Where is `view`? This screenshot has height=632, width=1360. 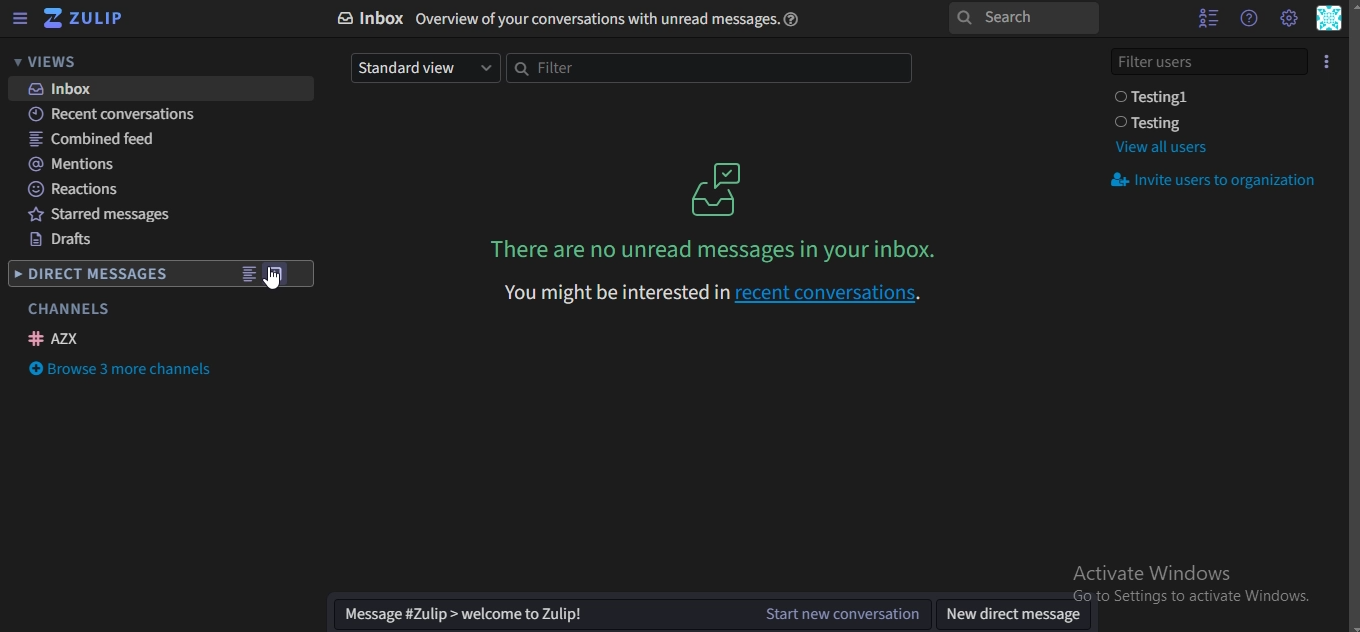 view is located at coordinates (248, 276).